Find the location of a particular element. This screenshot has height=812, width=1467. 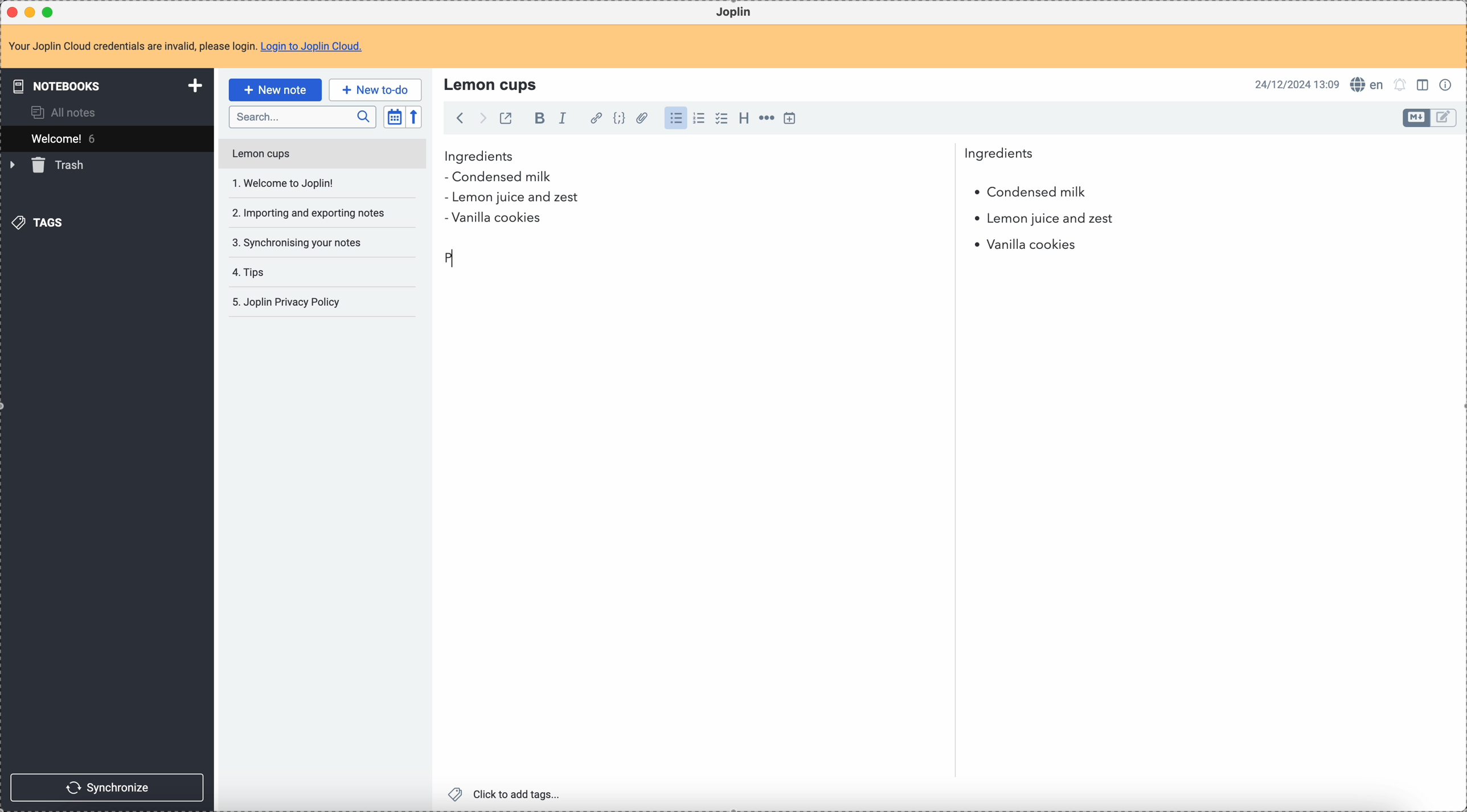

Joplin is located at coordinates (733, 13).